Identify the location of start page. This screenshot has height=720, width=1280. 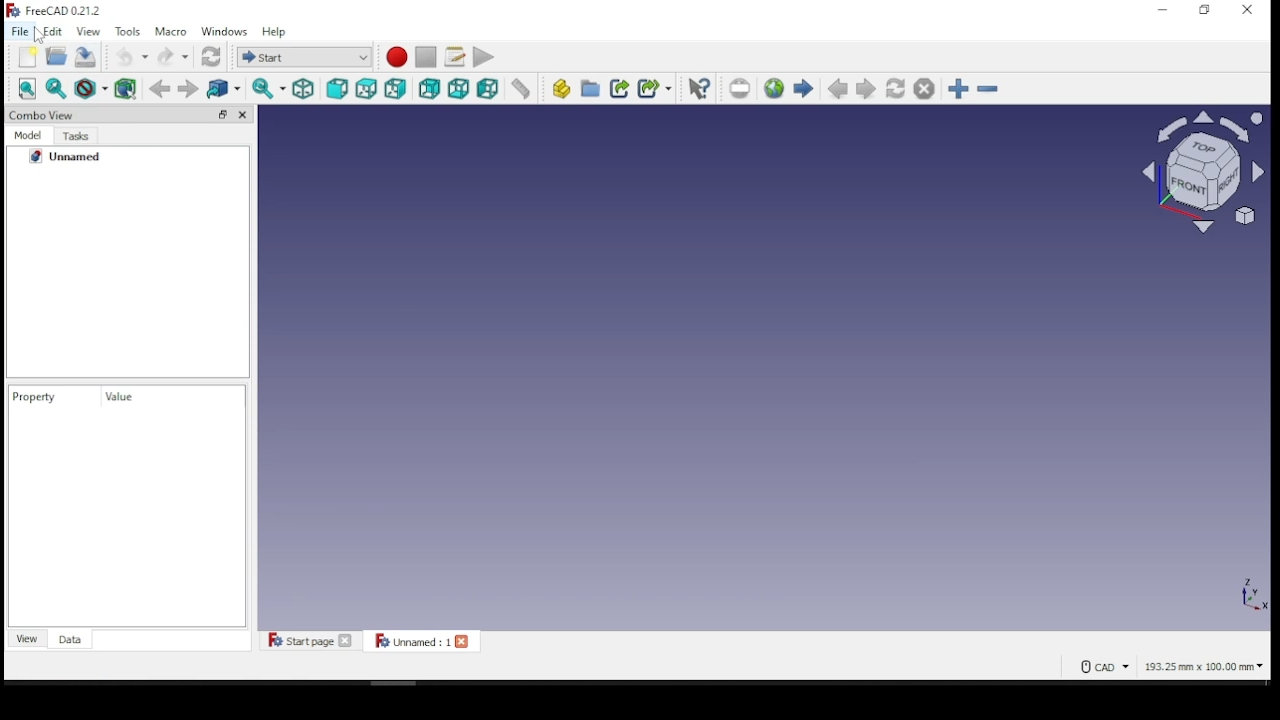
(310, 642).